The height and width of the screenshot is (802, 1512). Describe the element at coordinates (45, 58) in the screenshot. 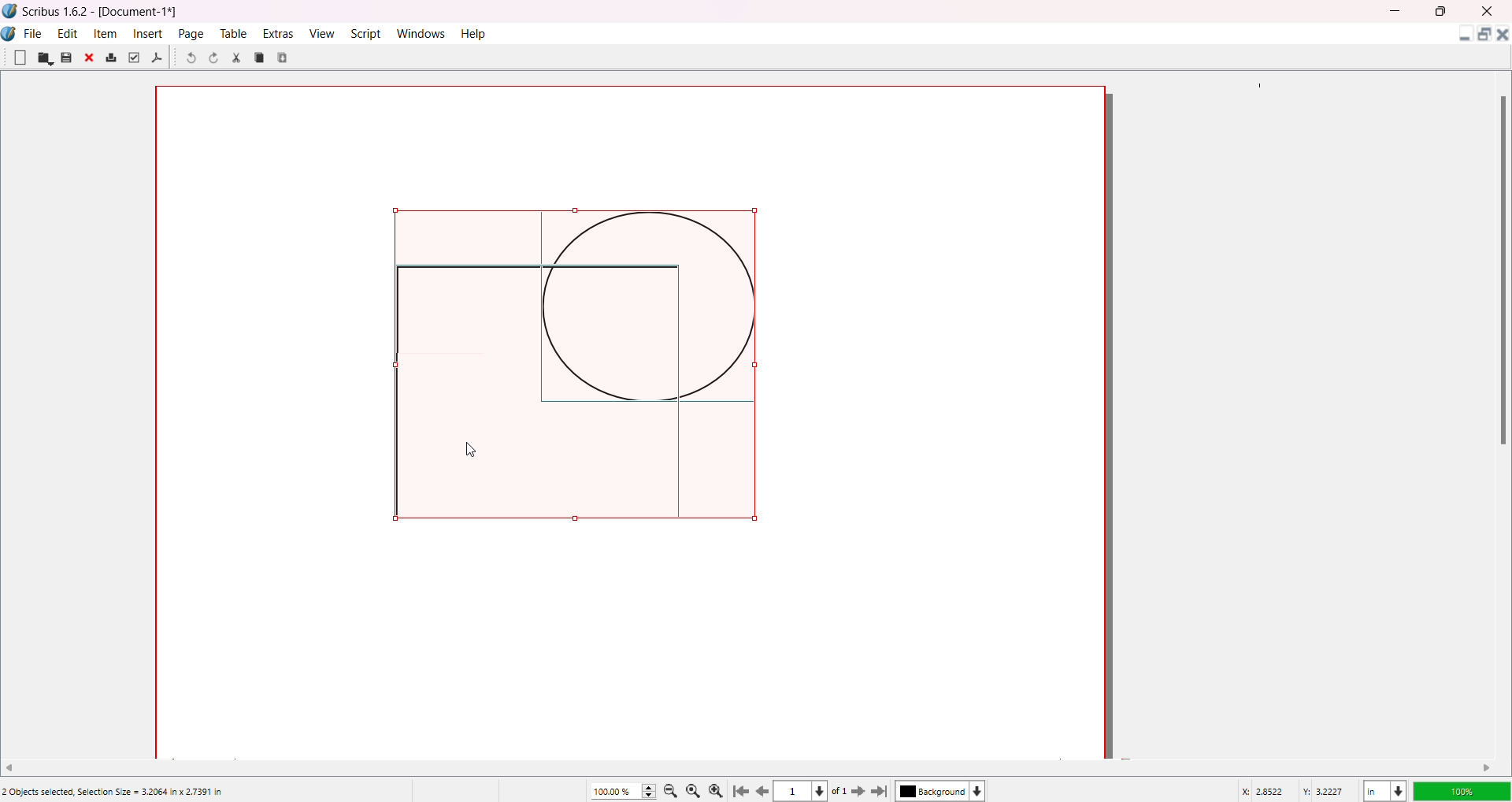

I see `Open` at that location.